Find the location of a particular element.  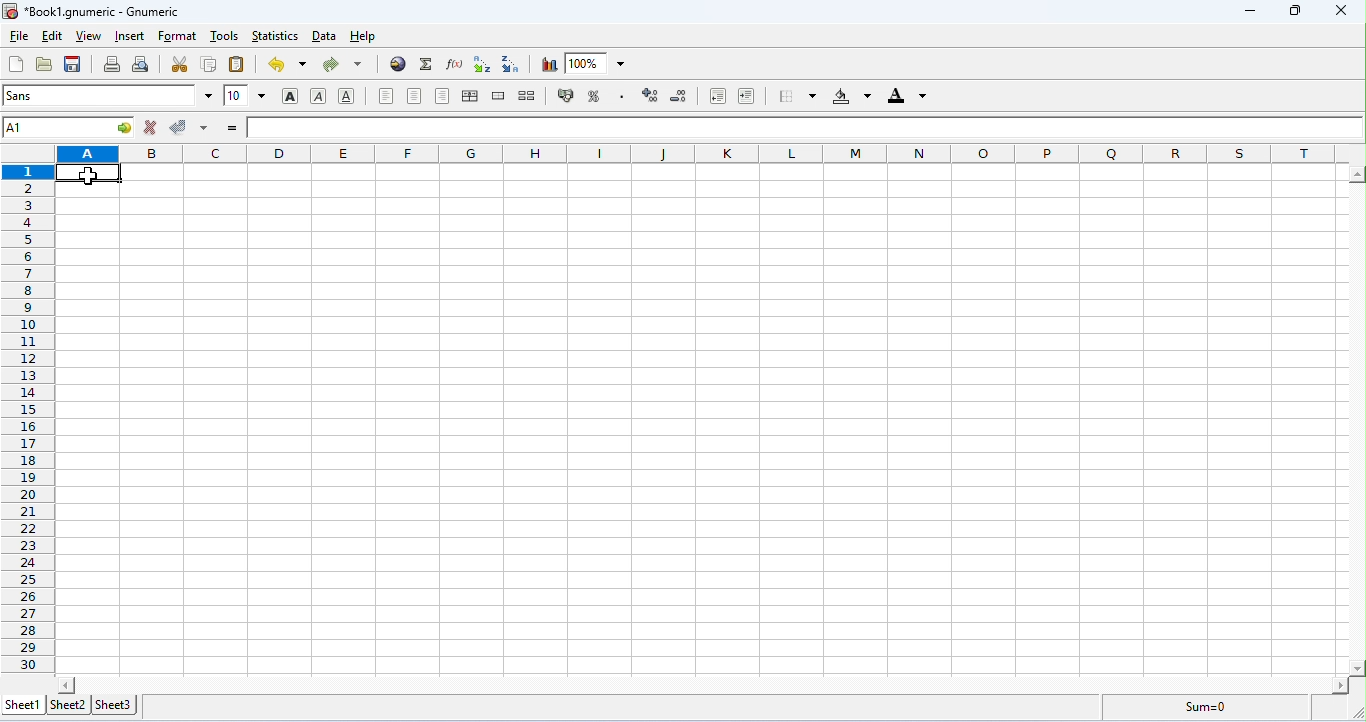

sheet3 is located at coordinates (114, 703).